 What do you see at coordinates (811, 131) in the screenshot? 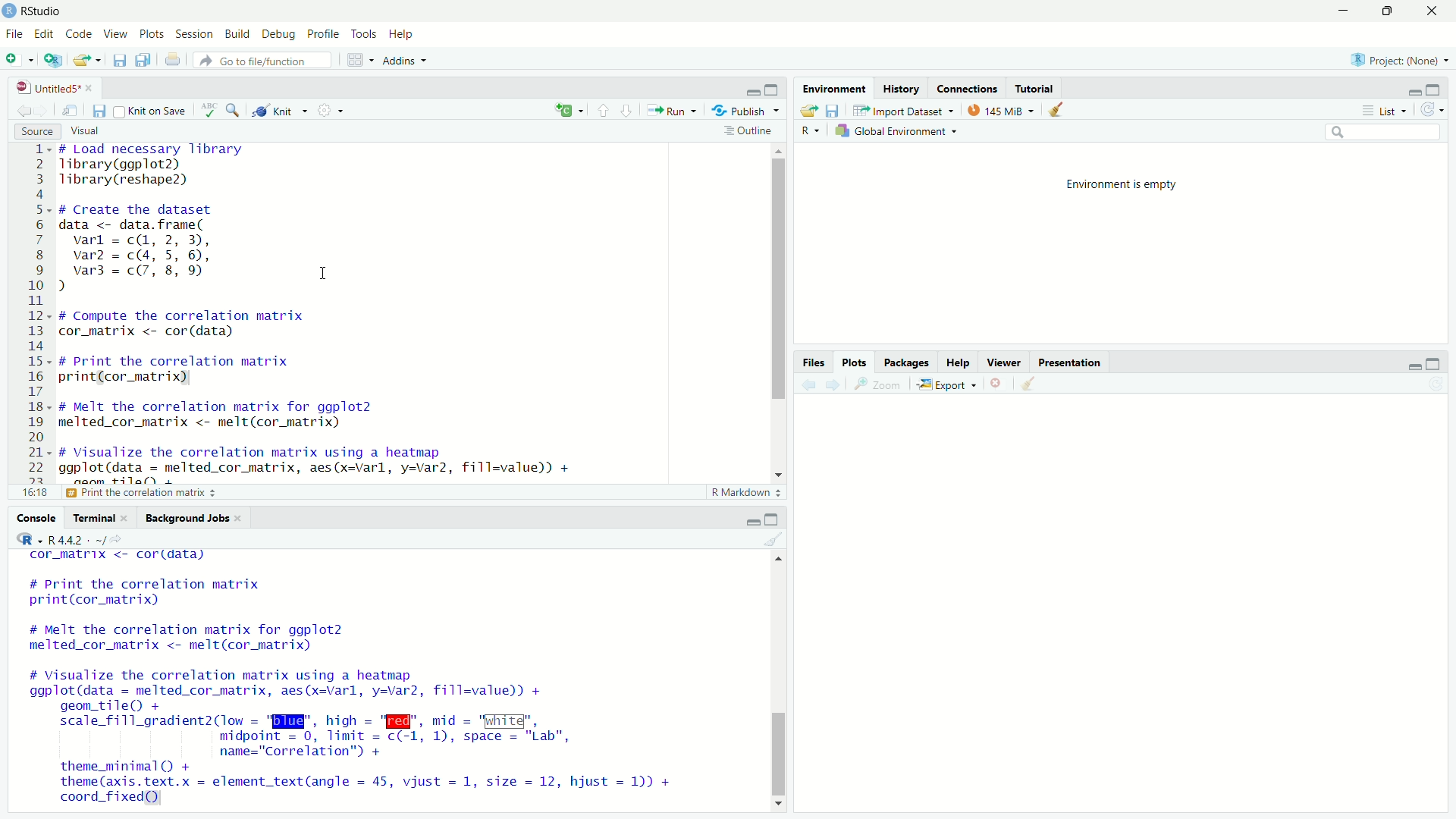
I see `R language` at bounding box center [811, 131].